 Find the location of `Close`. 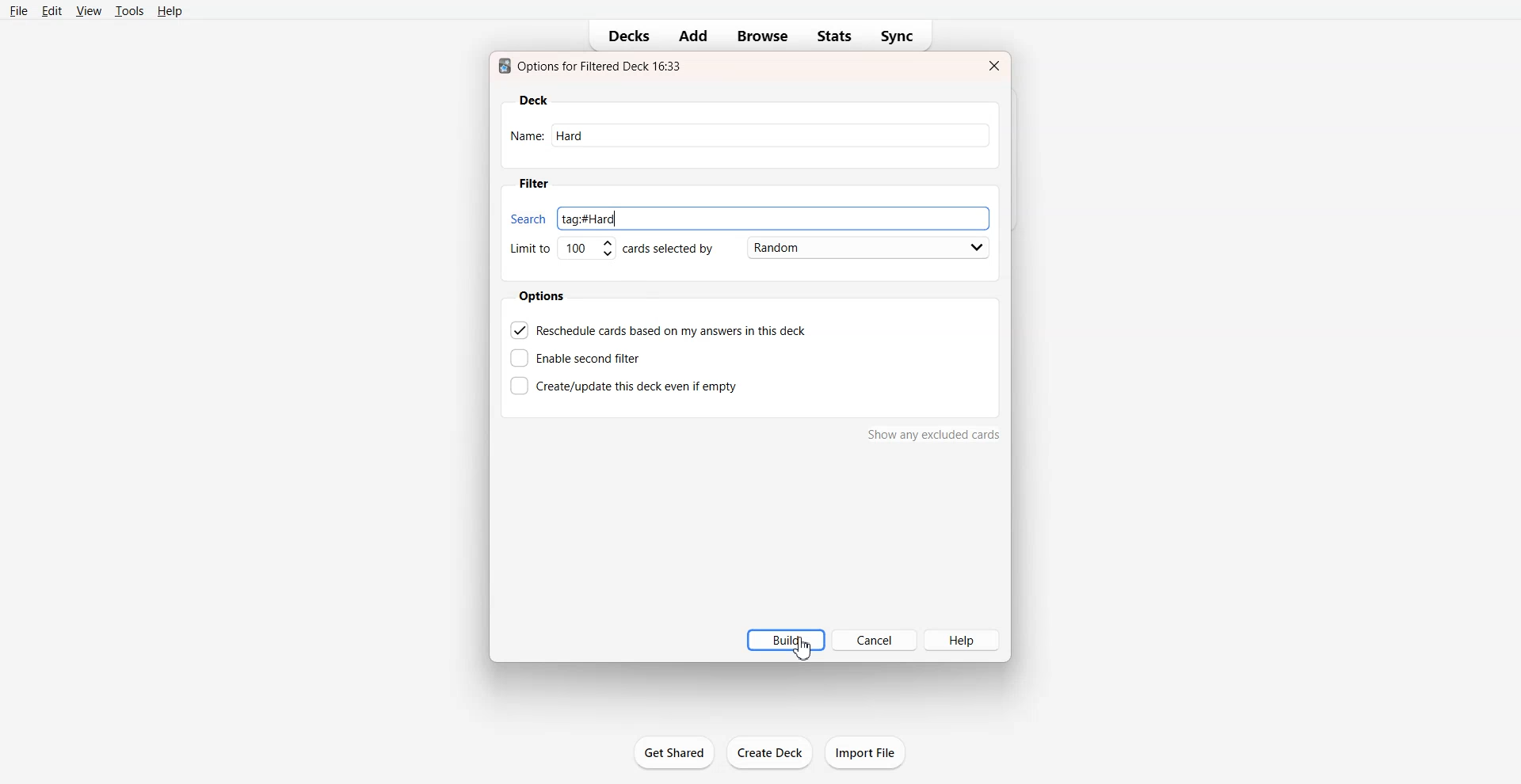

Close is located at coordinates (993, 66).